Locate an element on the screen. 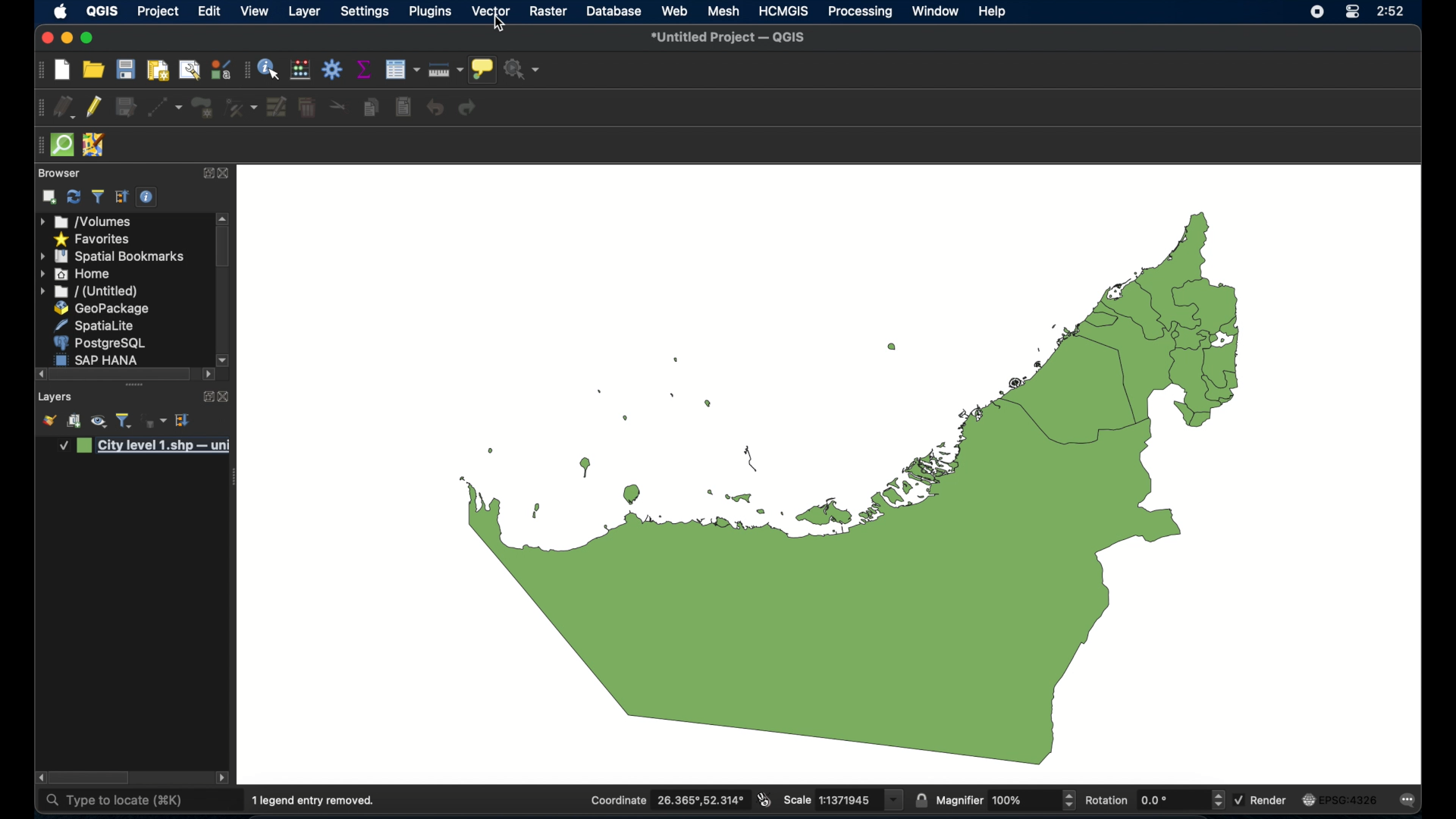  identify feature is located at coordinates (270, 70).